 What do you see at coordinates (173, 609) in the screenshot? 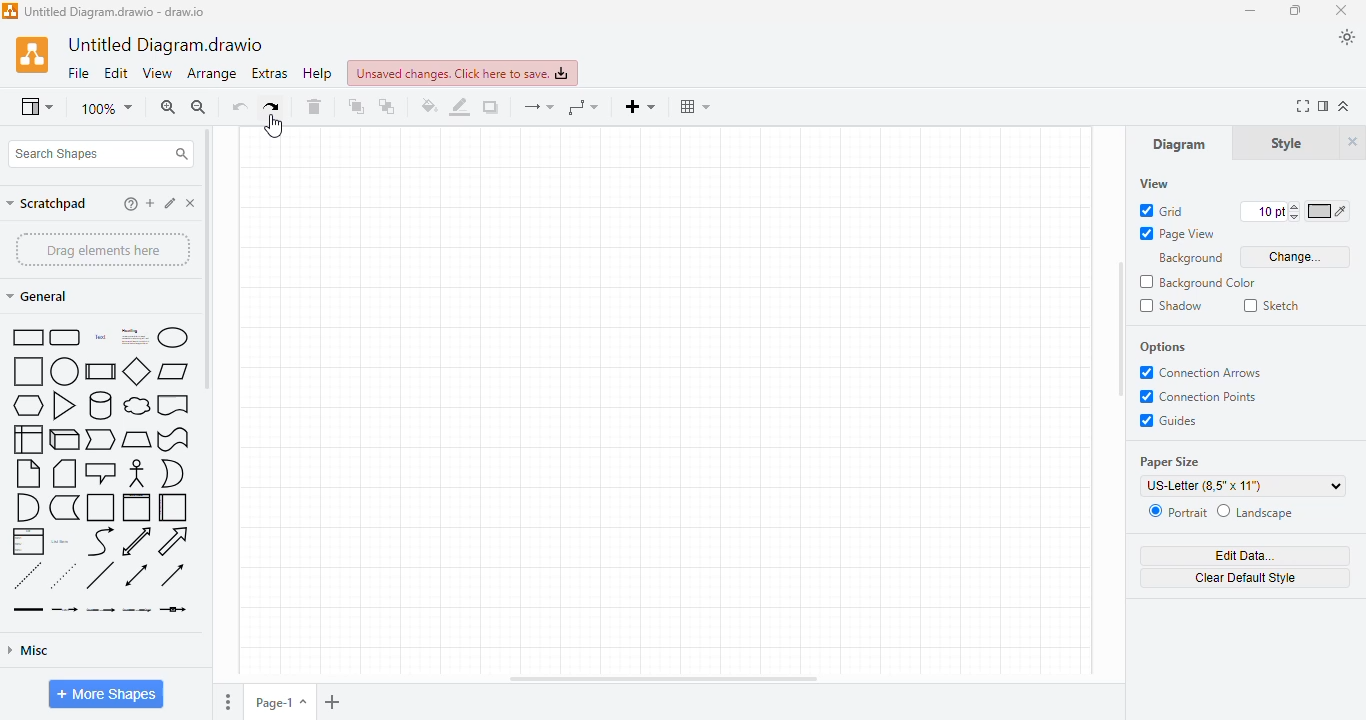
I see `connector with symbol` at bounding box center [173, 609].